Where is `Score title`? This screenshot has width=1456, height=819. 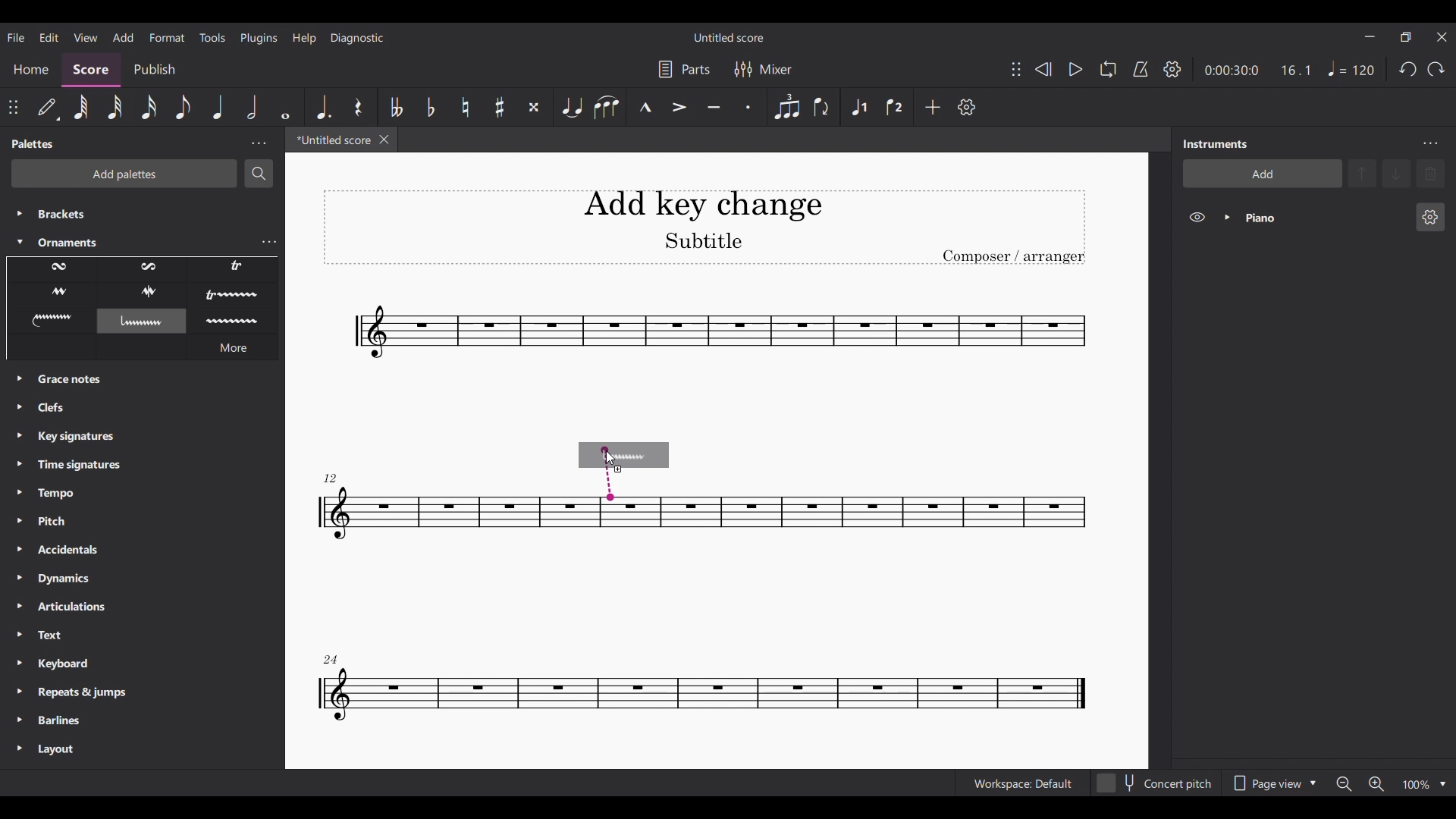 Score title is located at coordinates (728, 37).